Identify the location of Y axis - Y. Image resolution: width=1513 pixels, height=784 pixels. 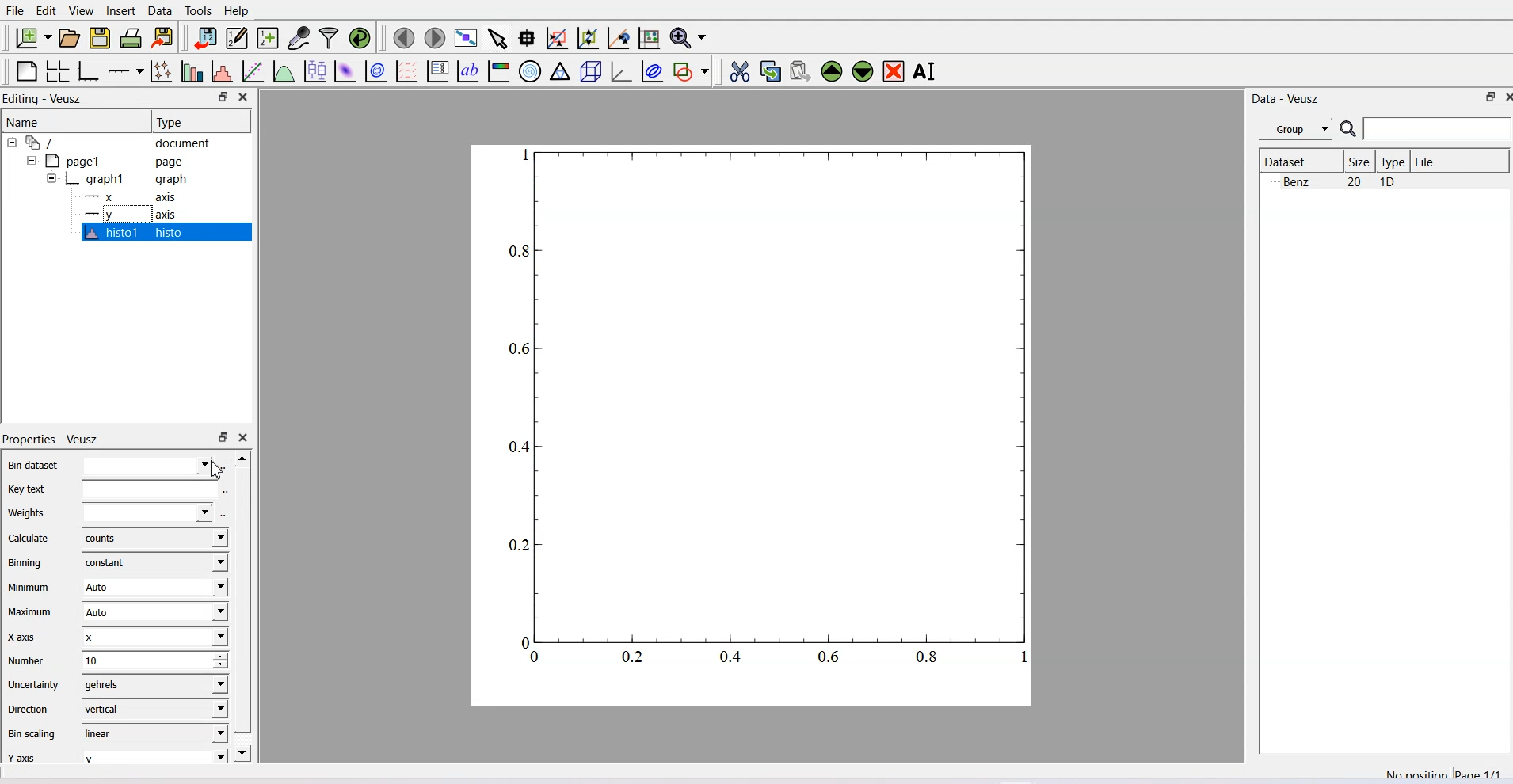
(115, 754).